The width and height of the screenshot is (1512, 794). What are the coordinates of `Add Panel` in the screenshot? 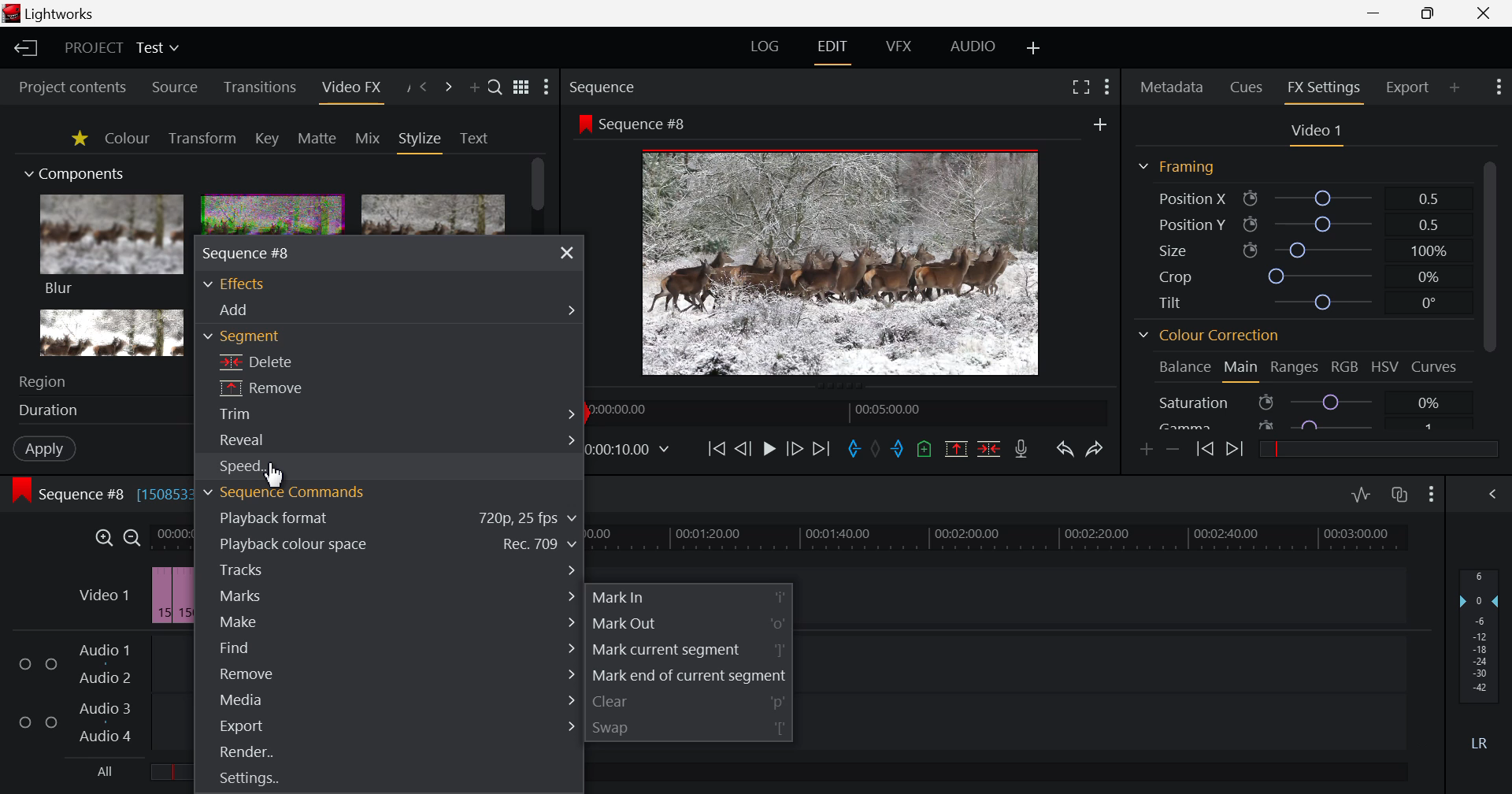 It's located at (1455, 86).